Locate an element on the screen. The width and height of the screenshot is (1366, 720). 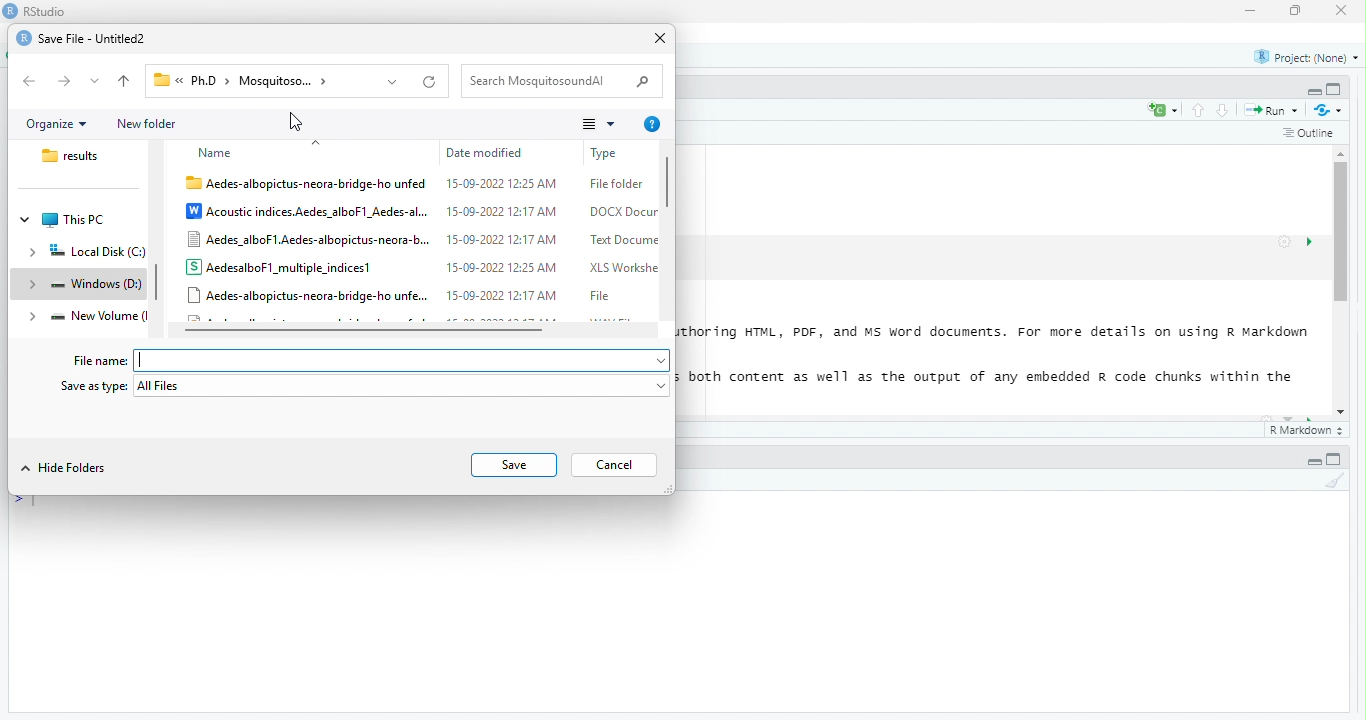
maximise is located at coordinates (1296, 11).